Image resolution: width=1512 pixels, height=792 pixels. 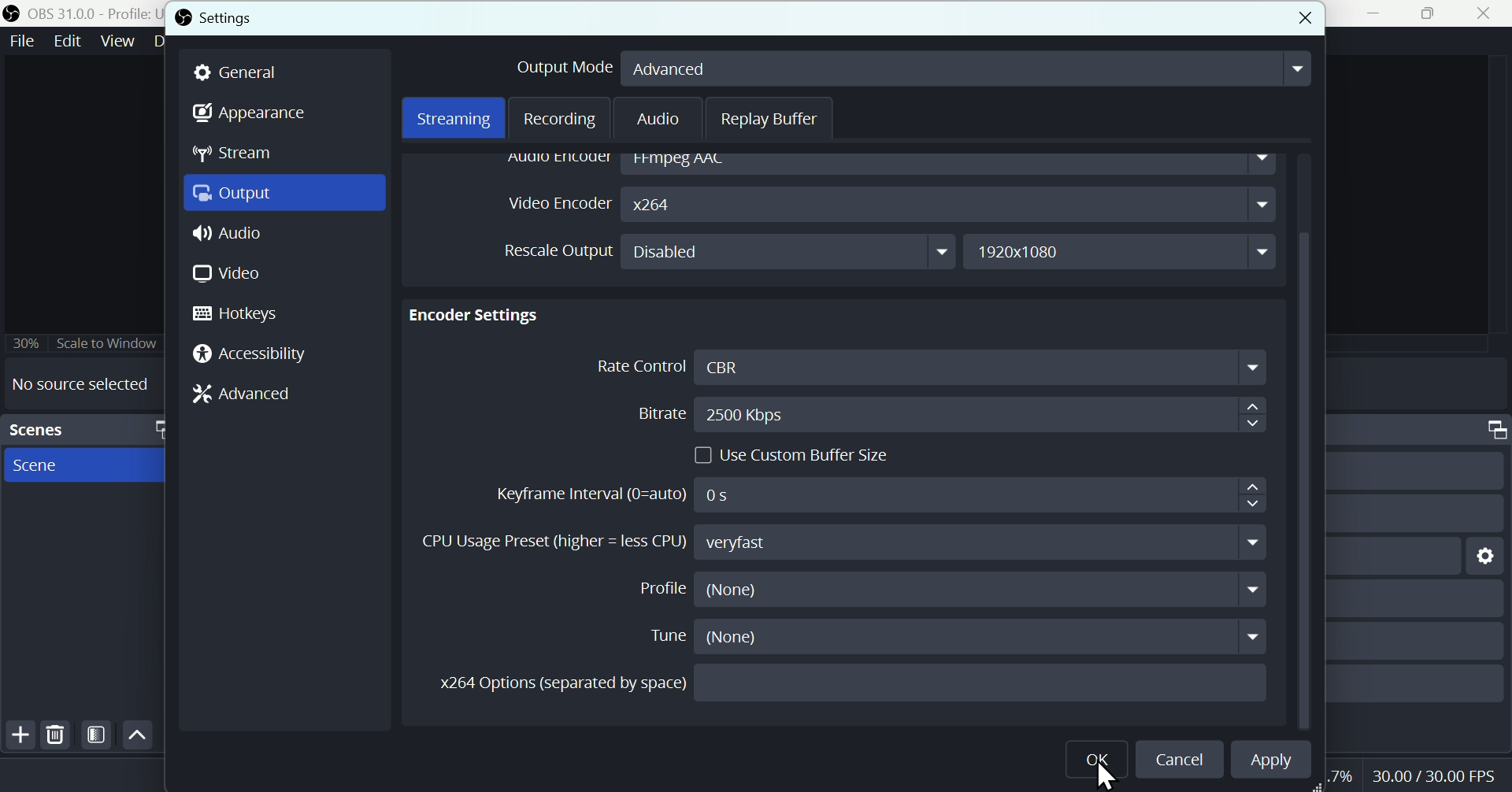 I want to click on scenes, so click(x=82, y=429).